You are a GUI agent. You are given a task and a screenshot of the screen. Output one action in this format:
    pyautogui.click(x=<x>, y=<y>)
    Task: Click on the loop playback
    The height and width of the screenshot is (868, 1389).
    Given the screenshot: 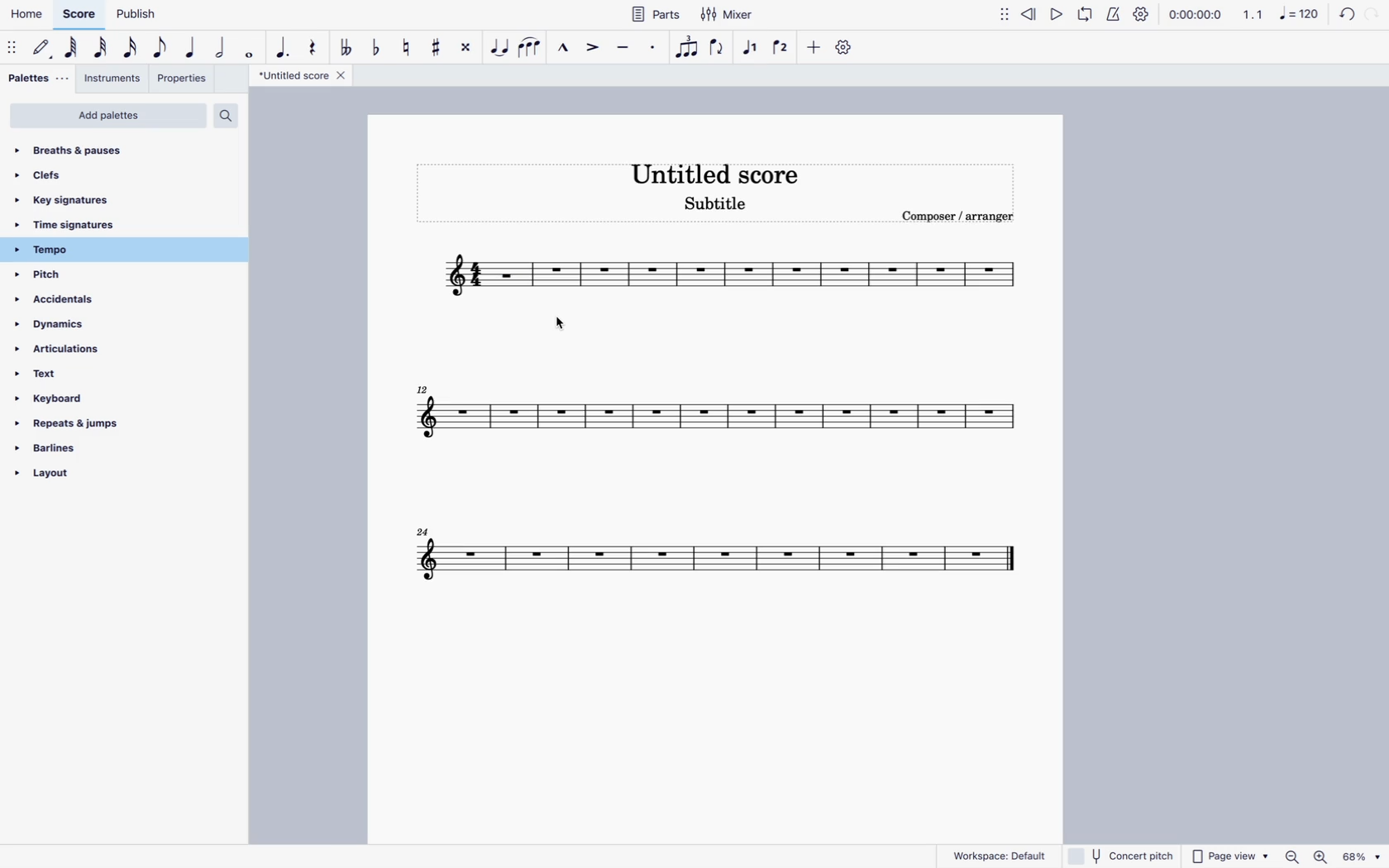 What is the action you would take?
    pyautogui.click(x=1085, y=14)
    